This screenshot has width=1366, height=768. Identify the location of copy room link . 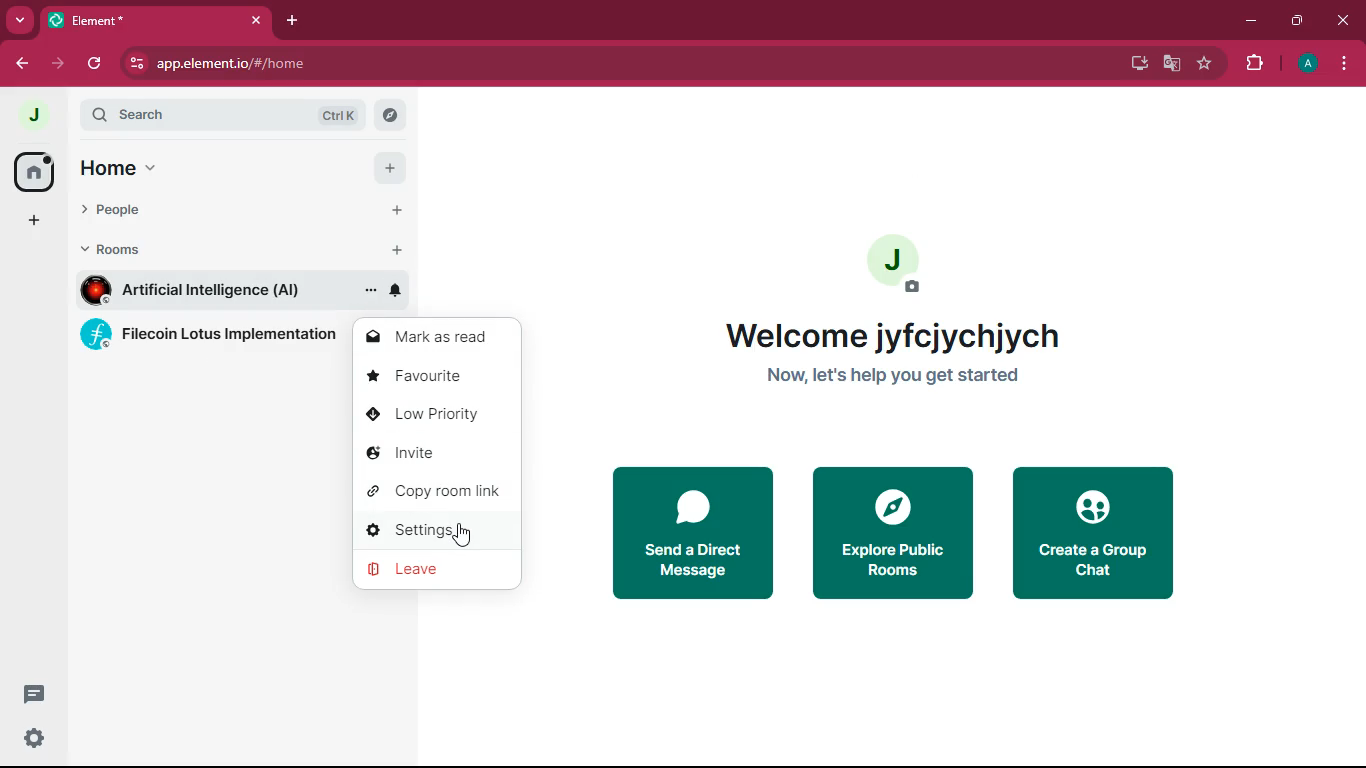
(435, 490).